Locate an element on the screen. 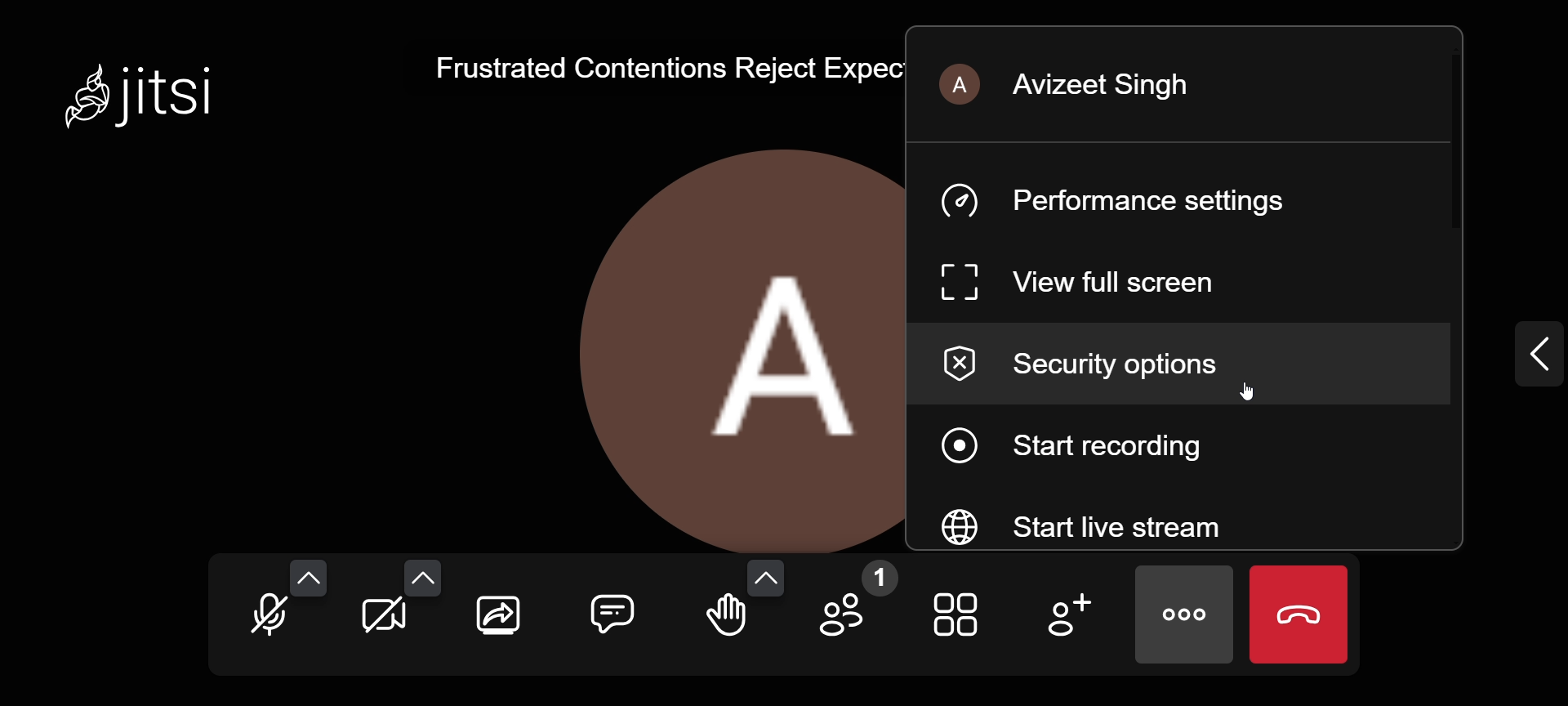 This screenshot has height=706, width=1568. add participants is located at coordinates (1065, 614).